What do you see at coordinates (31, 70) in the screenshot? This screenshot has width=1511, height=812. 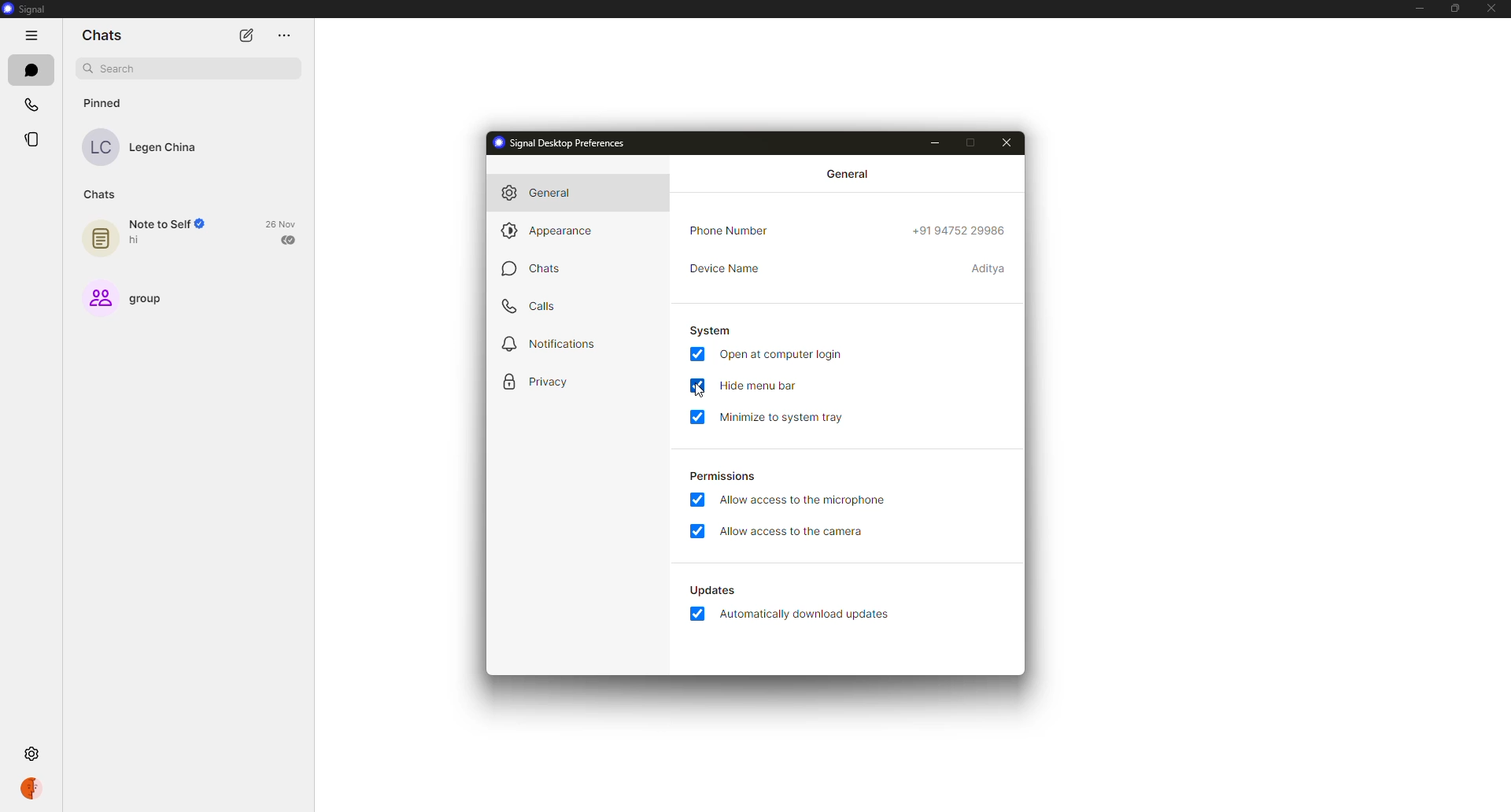 I see `chats` at bounding box center [31, 70].